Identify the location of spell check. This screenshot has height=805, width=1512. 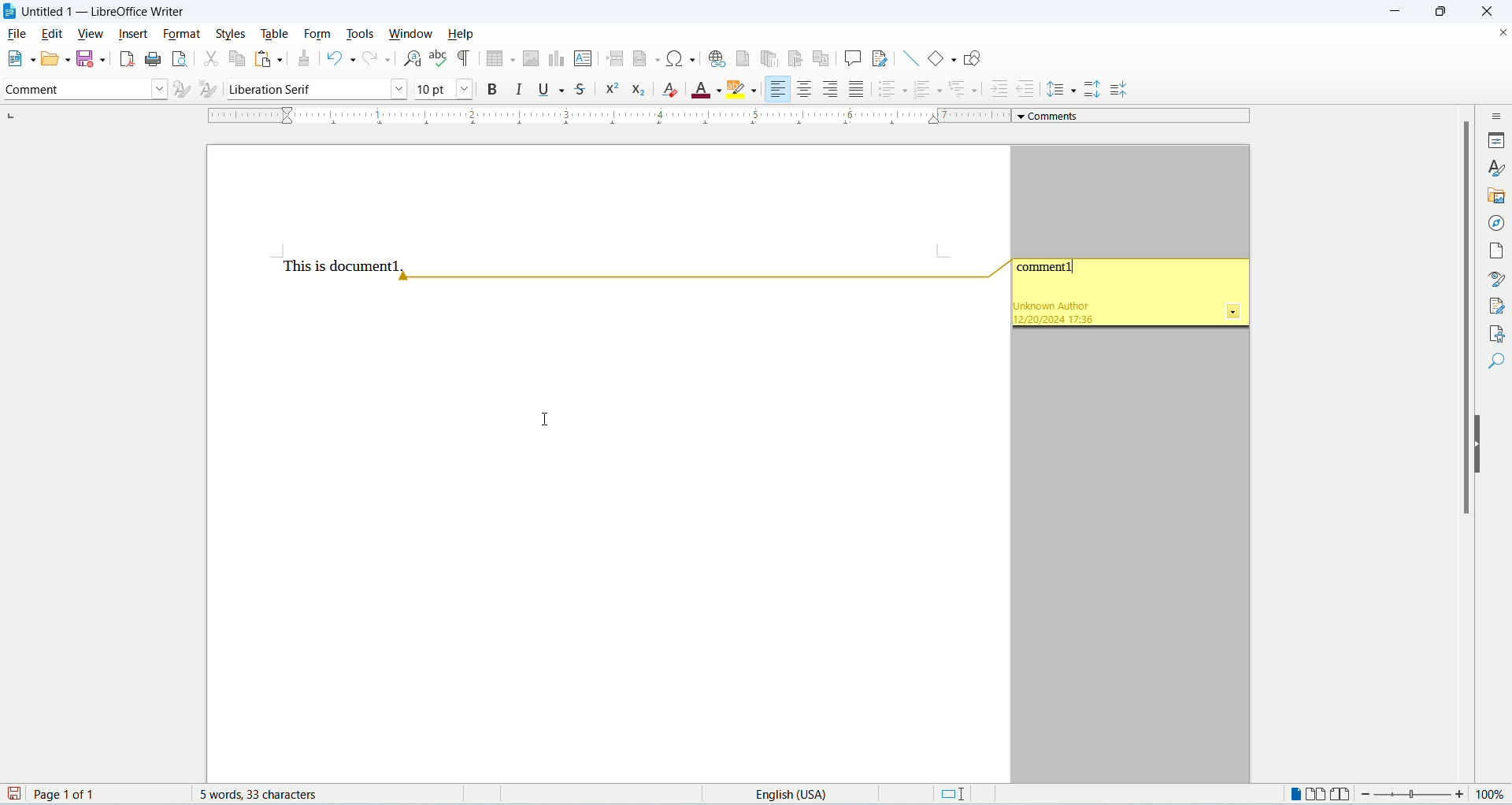
(439, 60).